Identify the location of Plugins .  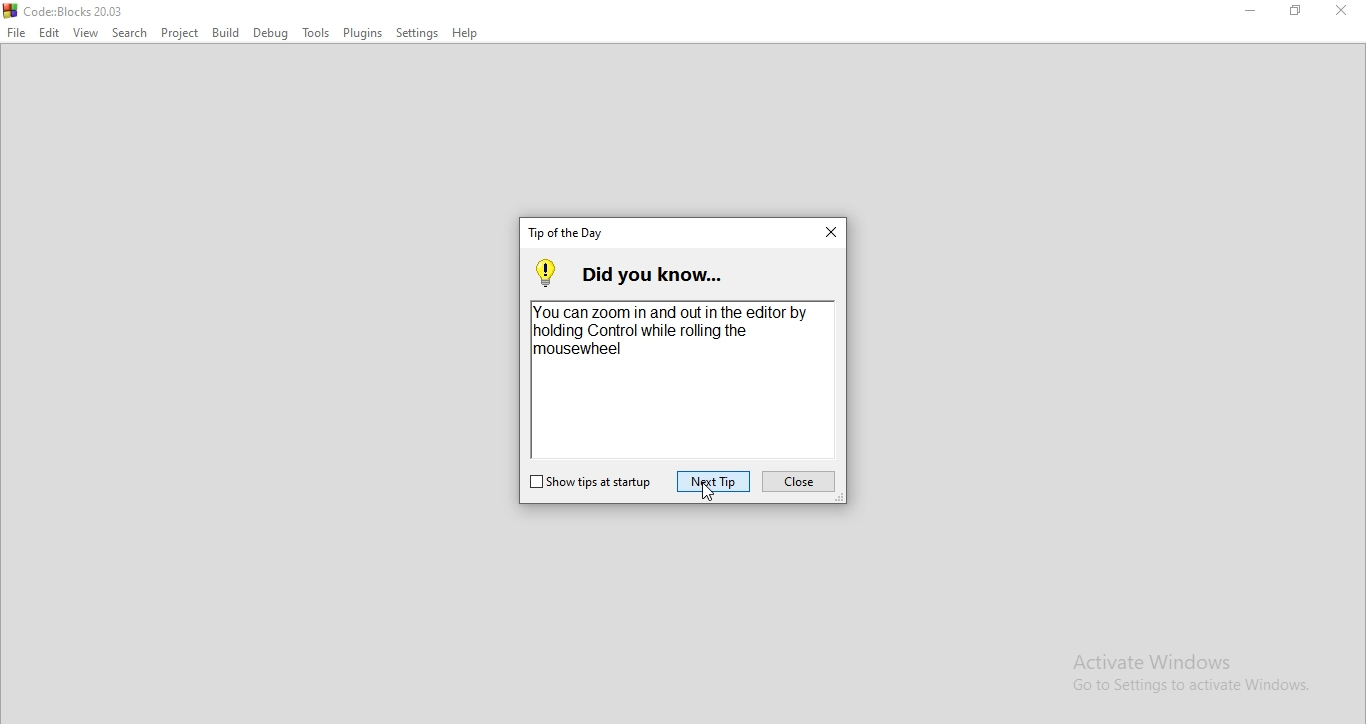
(363, 30).